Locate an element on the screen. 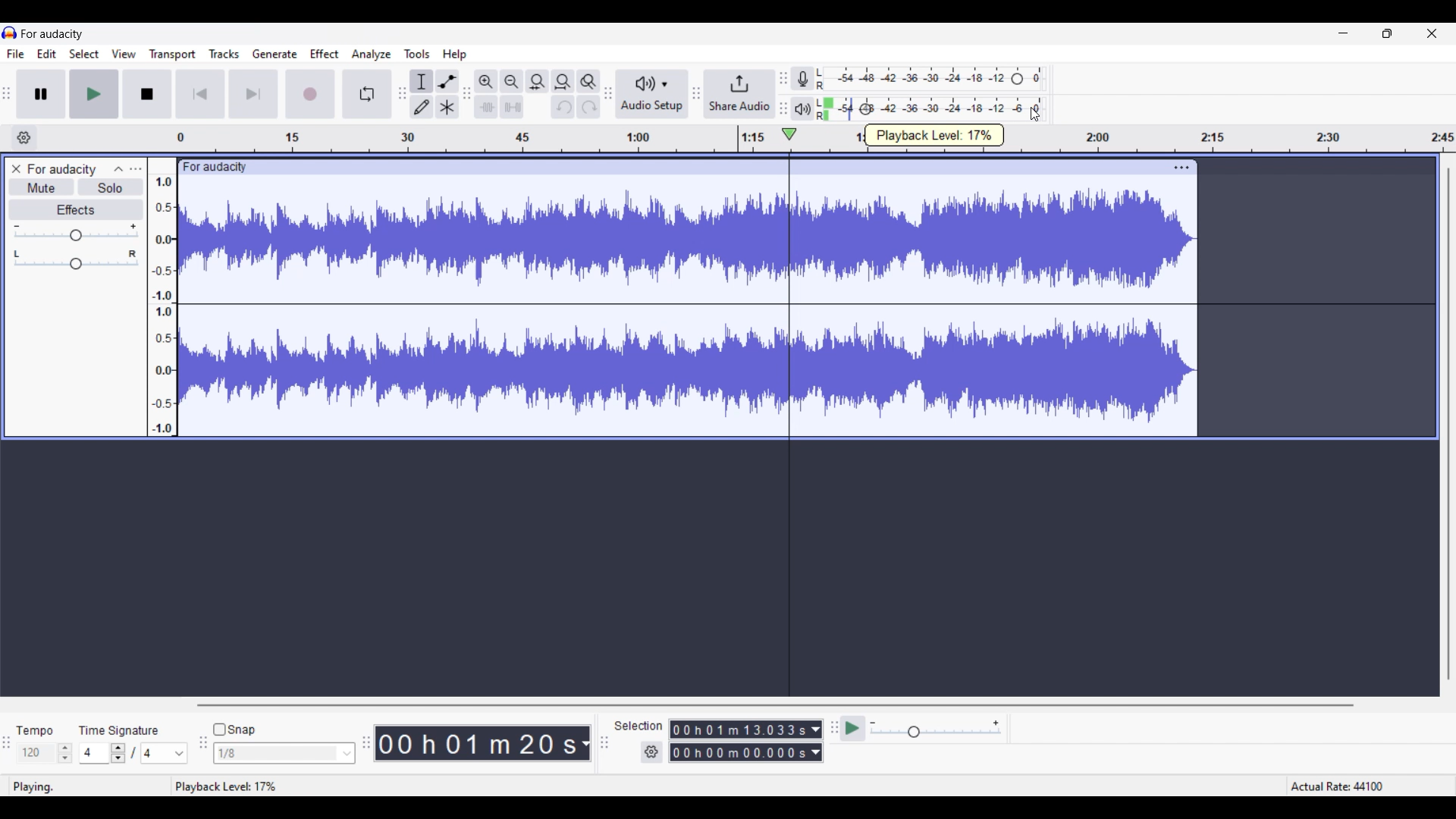 The height and width of the screenshot is (819, 1456). Timeline settings is located at coordinates (24, 137).